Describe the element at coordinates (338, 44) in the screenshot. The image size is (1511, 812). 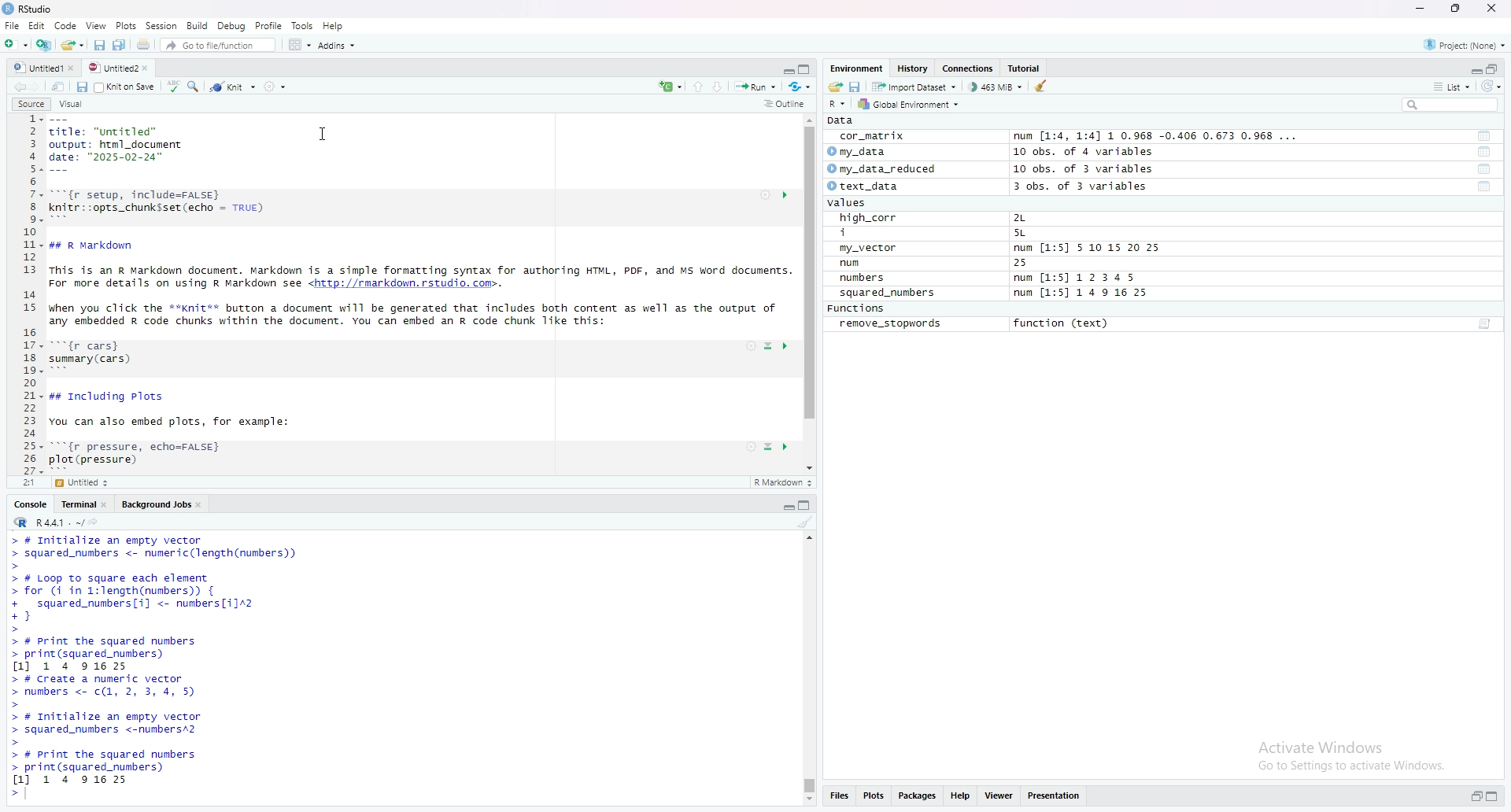
I see `Addins` at that location.